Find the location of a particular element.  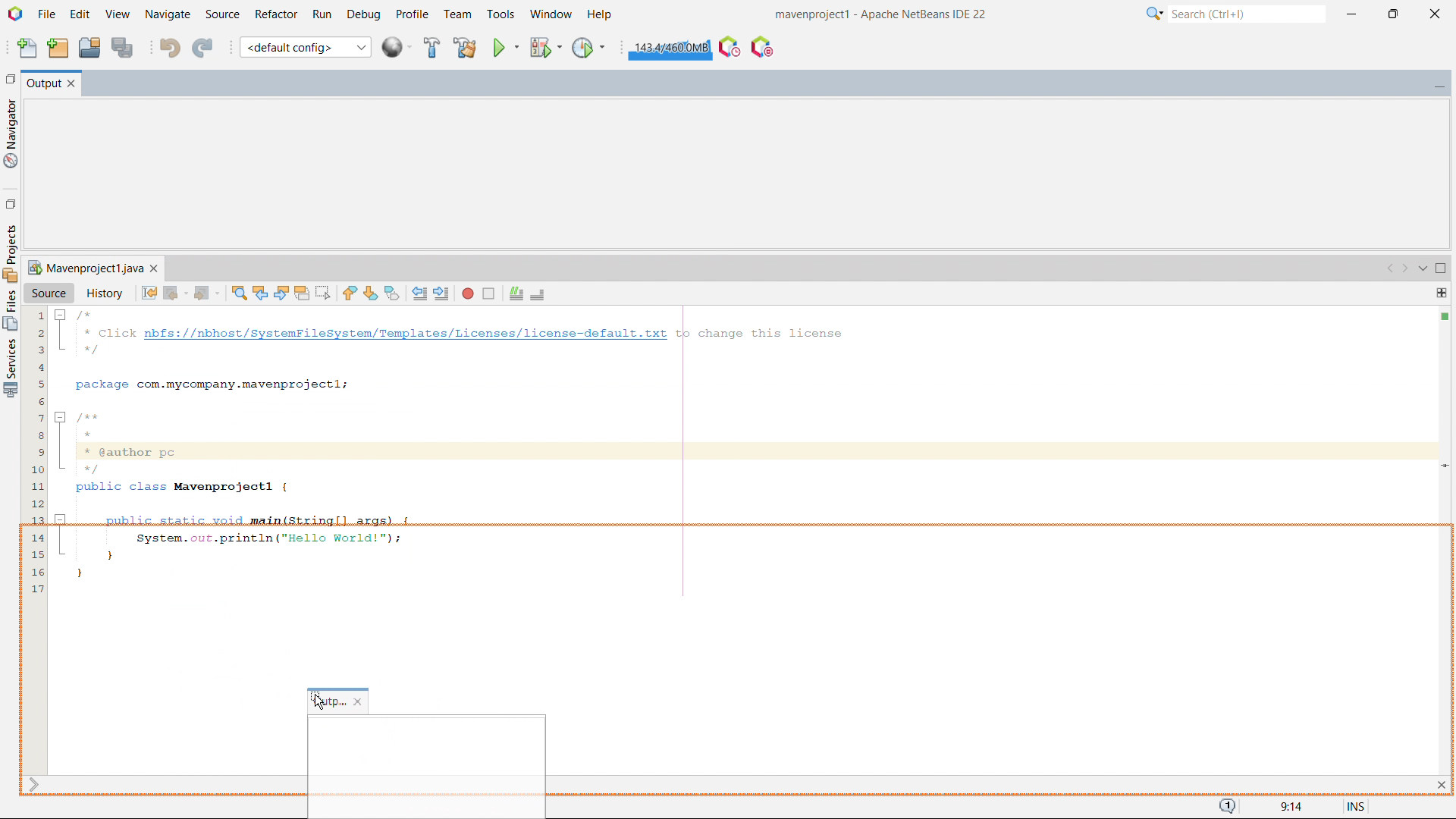

redo is located at coordinates (203, 45).